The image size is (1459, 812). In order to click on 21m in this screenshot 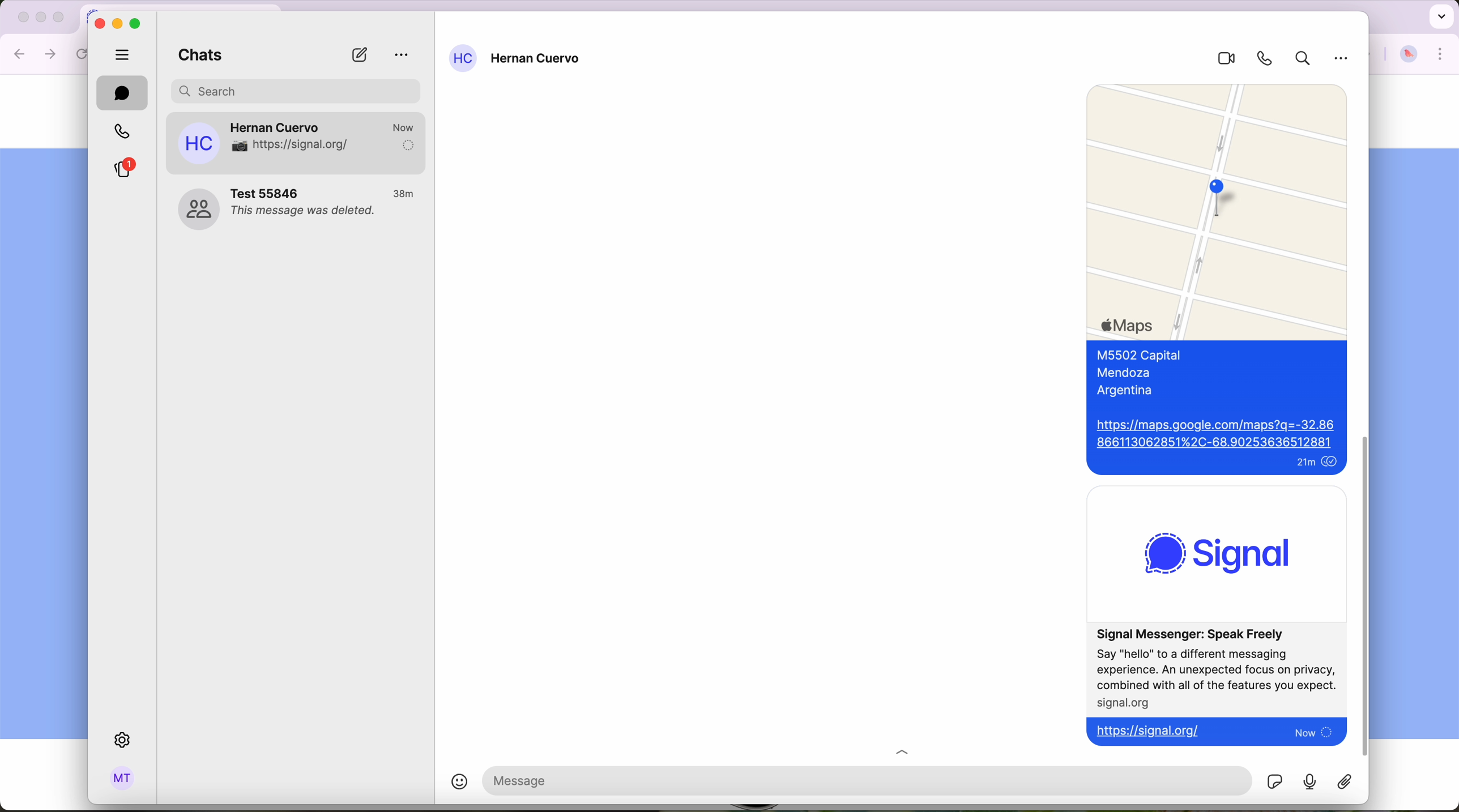, I will do `click(404, 126)`.